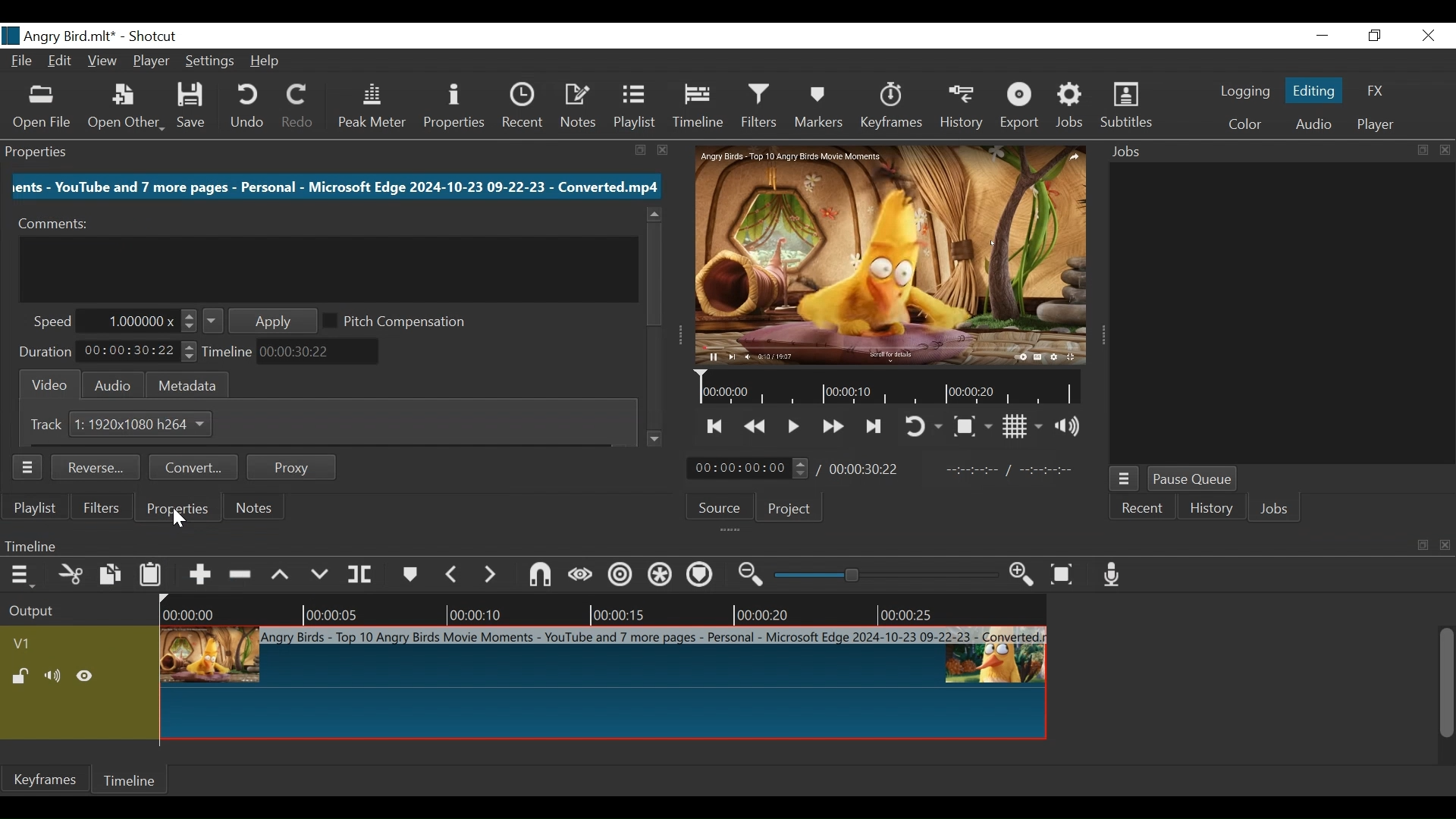  Describe the element at coordinates (1275, 152) in the screenshot. I see `Jobs Panel` at that location.